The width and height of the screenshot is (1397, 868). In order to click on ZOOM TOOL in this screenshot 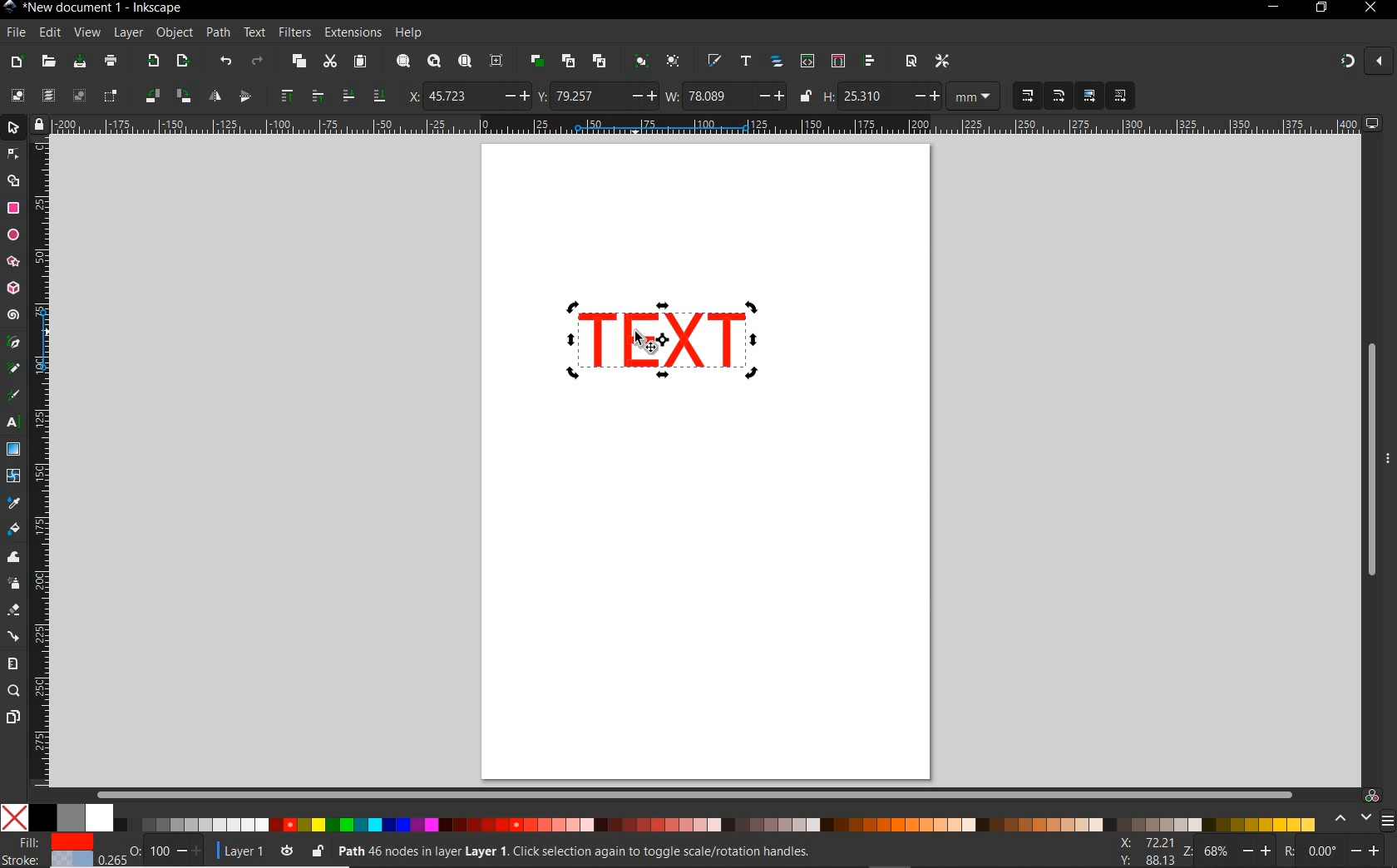, I will do `click(14, 692)`.